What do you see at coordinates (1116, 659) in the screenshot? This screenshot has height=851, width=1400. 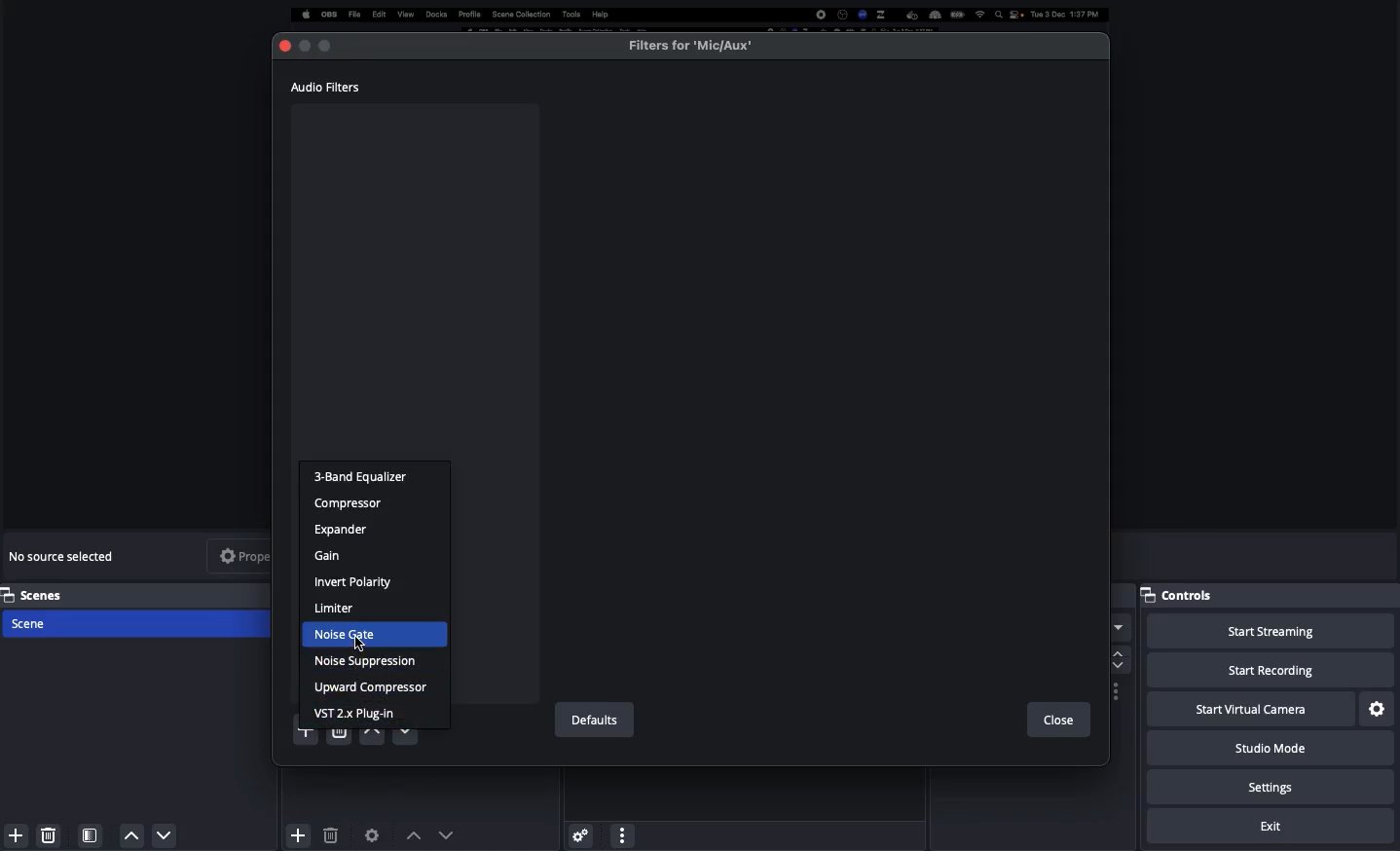 I see `scroll` at bounding box center [1116, 659].